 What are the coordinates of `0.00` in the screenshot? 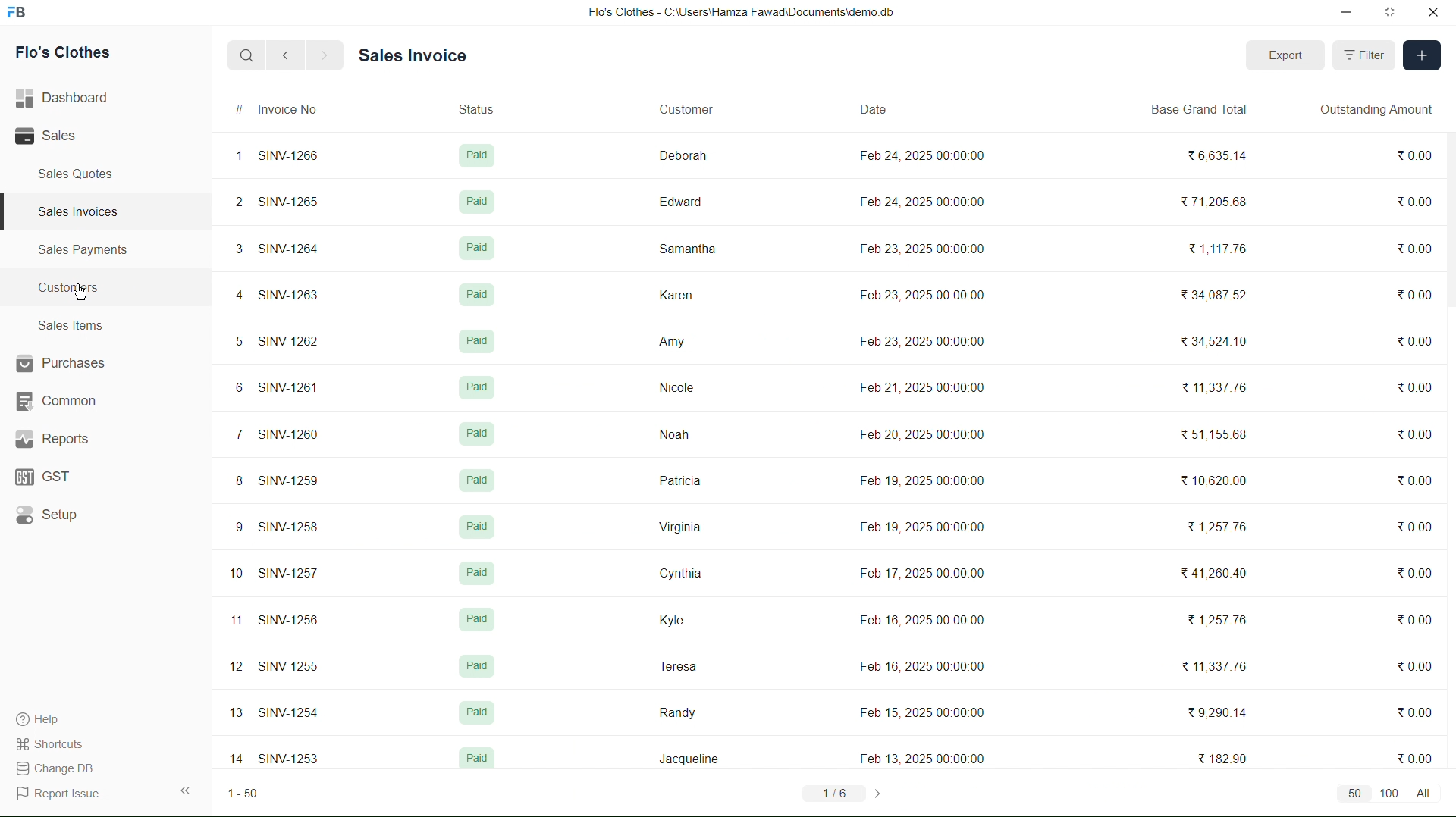 It's located at (1414, 479).